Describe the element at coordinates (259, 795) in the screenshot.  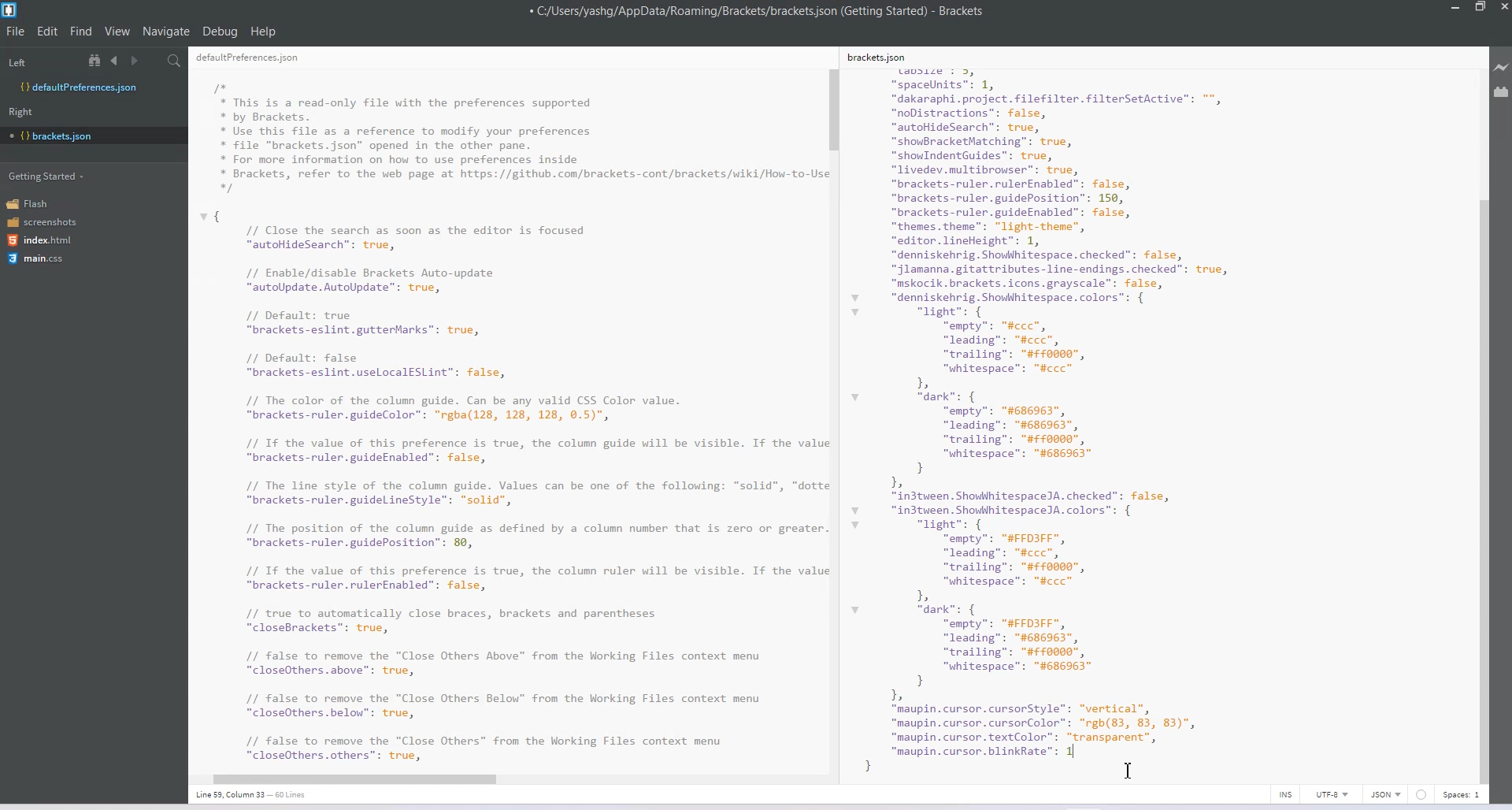
I see `Line 36, Column 13- 60 lines` at that location.